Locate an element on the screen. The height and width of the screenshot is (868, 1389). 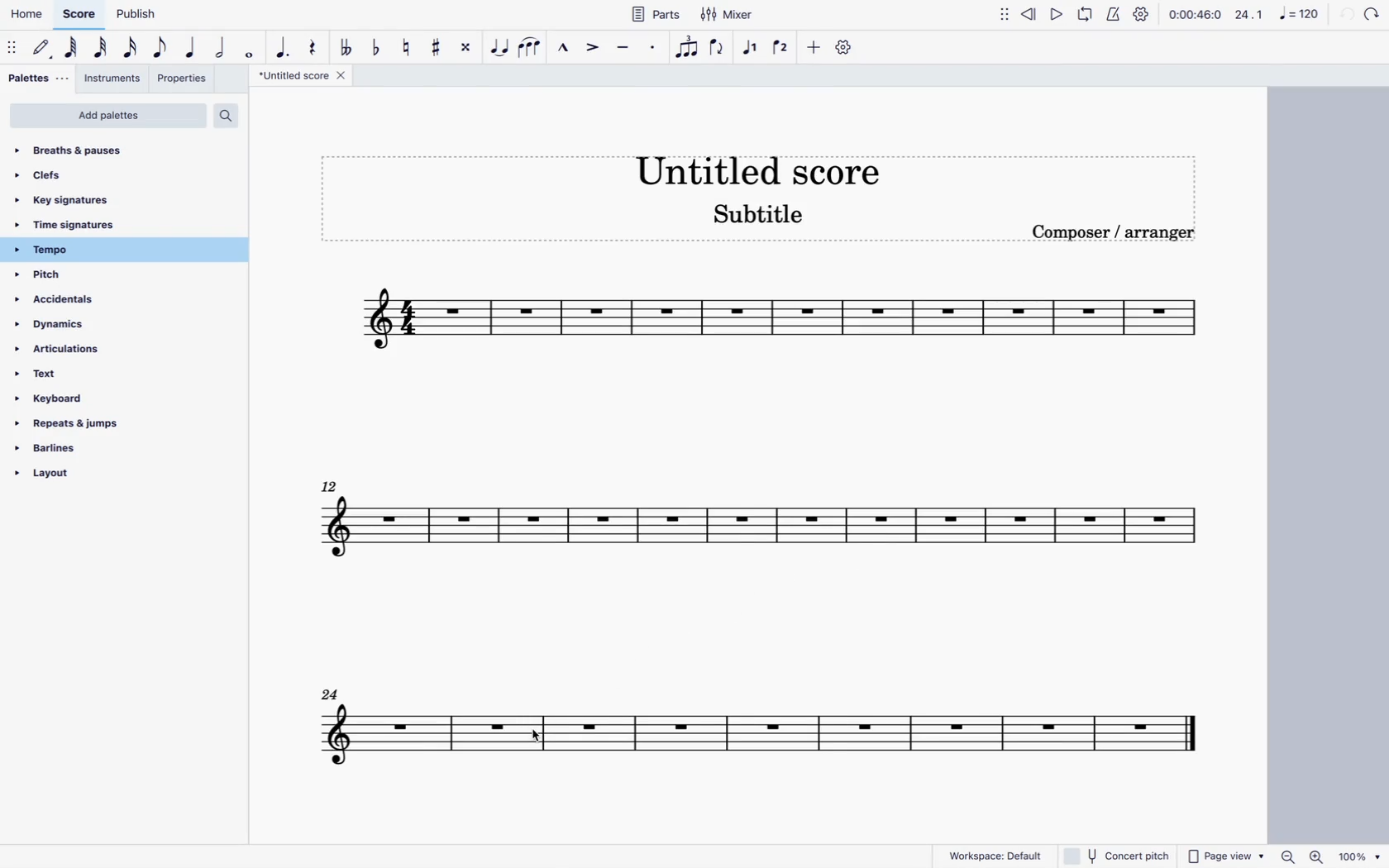
toggle natural is located at coordinates (408, 48).